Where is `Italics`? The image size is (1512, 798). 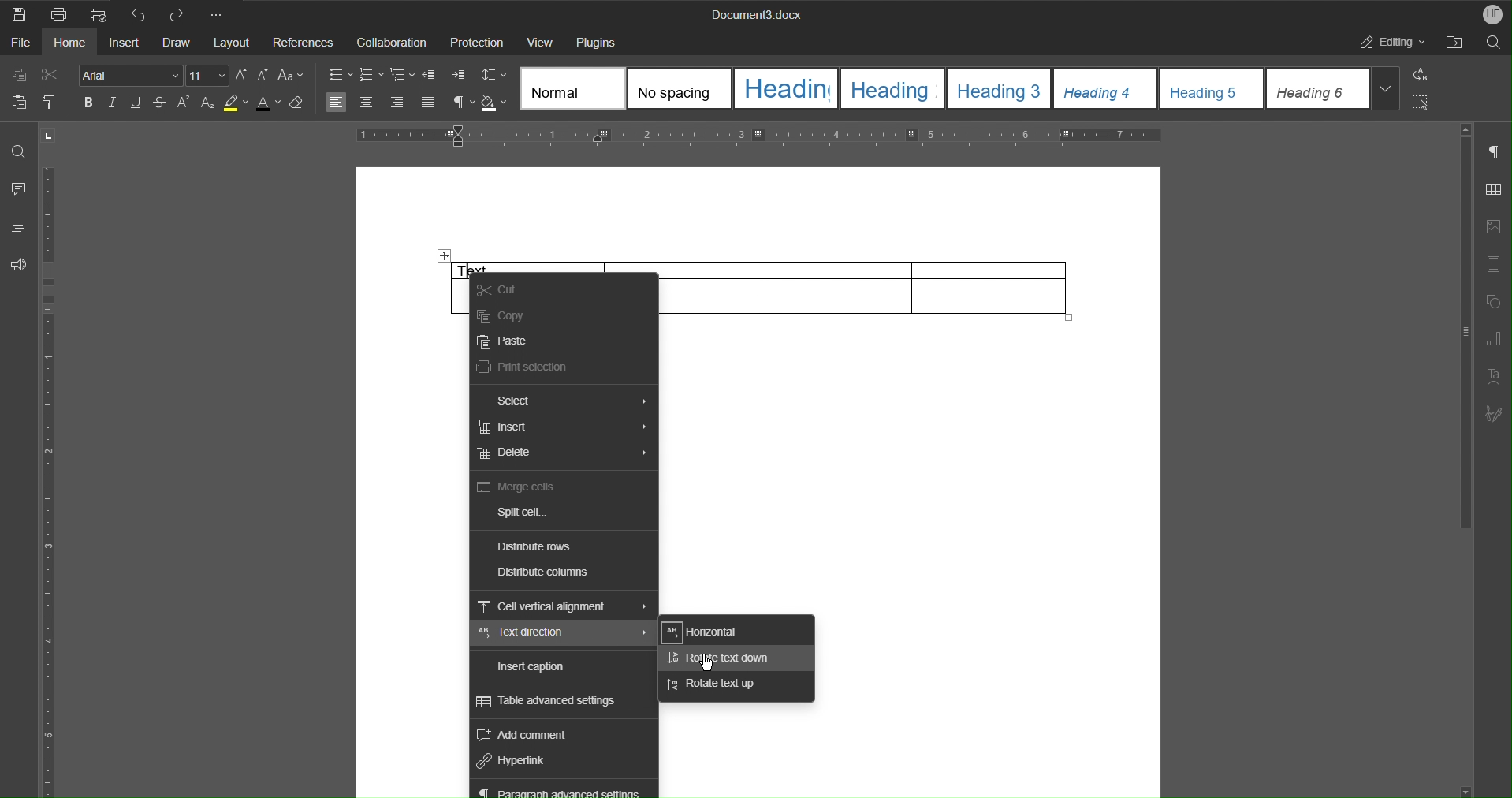 Italics is located at coordinates (114, 103).